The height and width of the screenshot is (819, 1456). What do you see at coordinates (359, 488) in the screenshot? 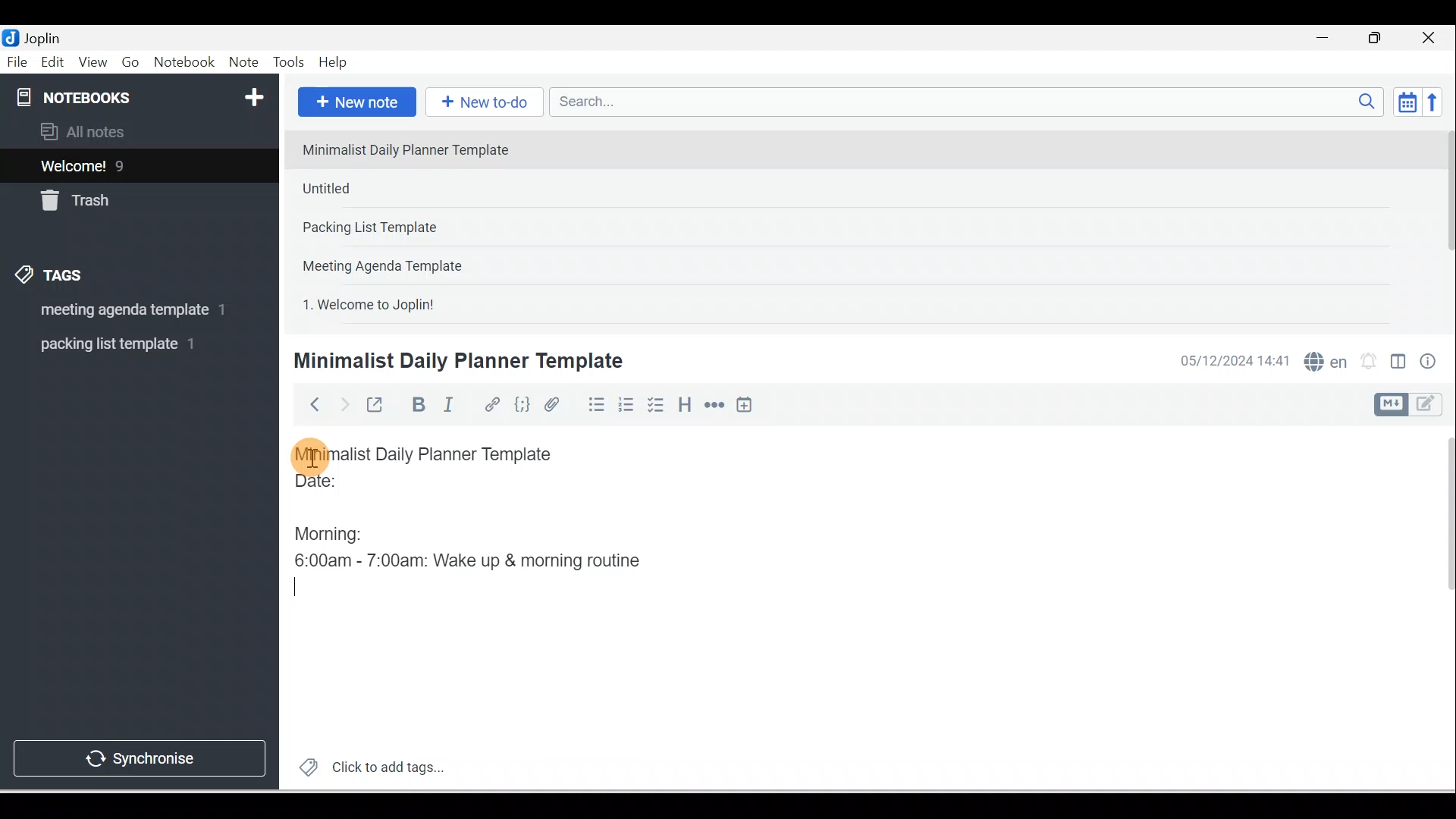
I see `Date:` at bounding box center [359, 488].